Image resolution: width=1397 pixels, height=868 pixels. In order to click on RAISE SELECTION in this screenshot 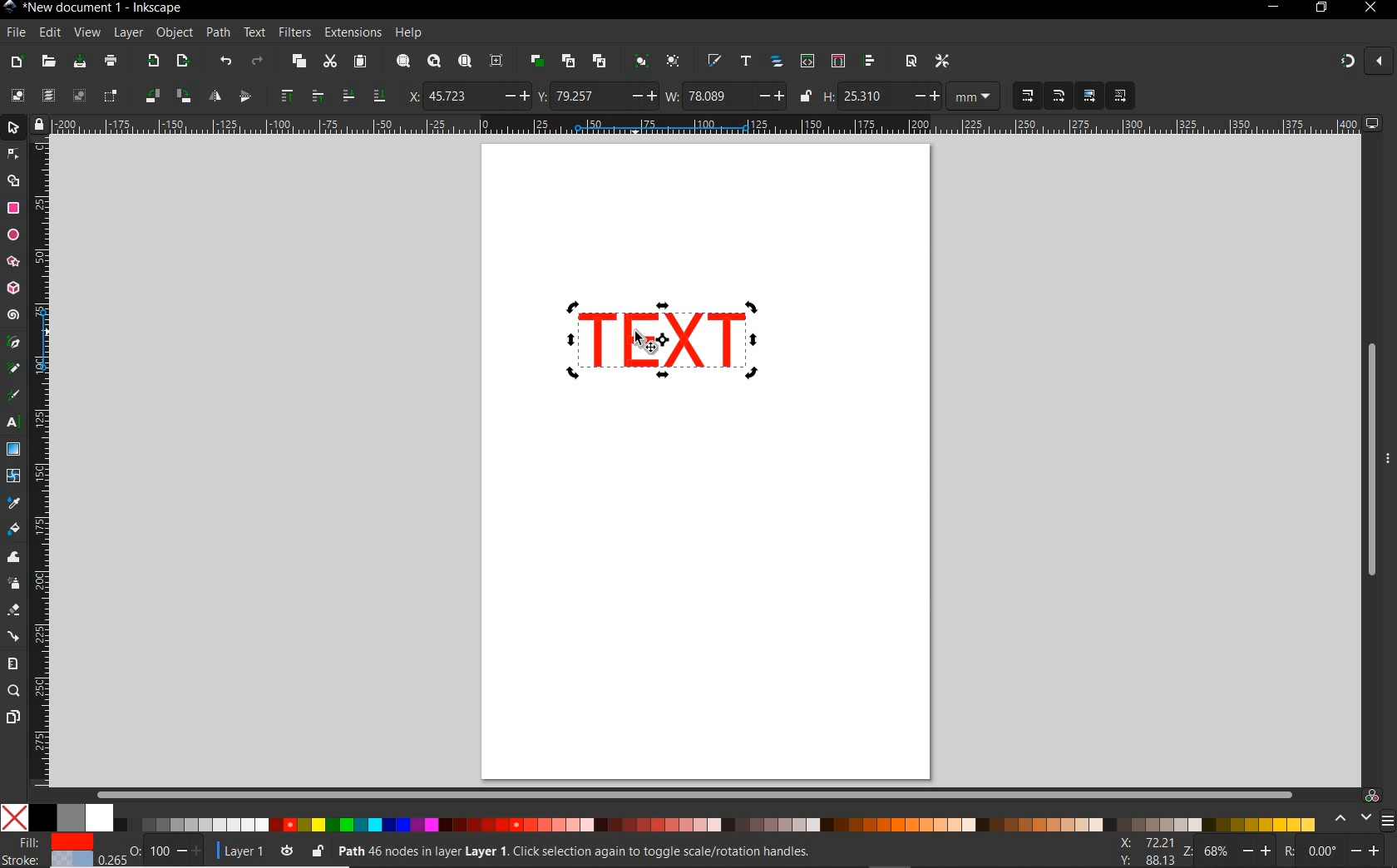, I will do `click(297, 95)`.